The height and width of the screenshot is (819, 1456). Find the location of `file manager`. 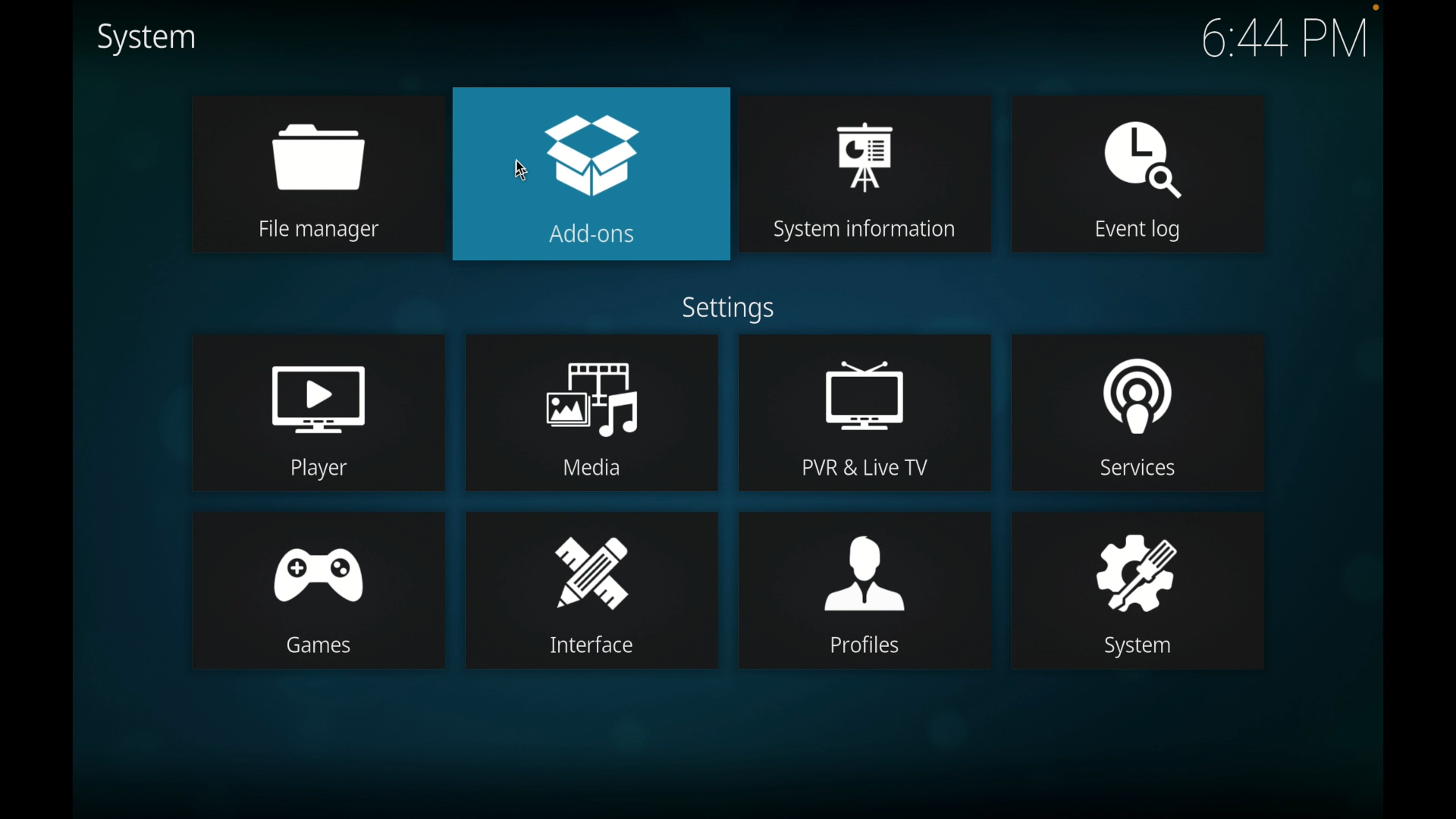

file manager is located at coordinates (315, 172).